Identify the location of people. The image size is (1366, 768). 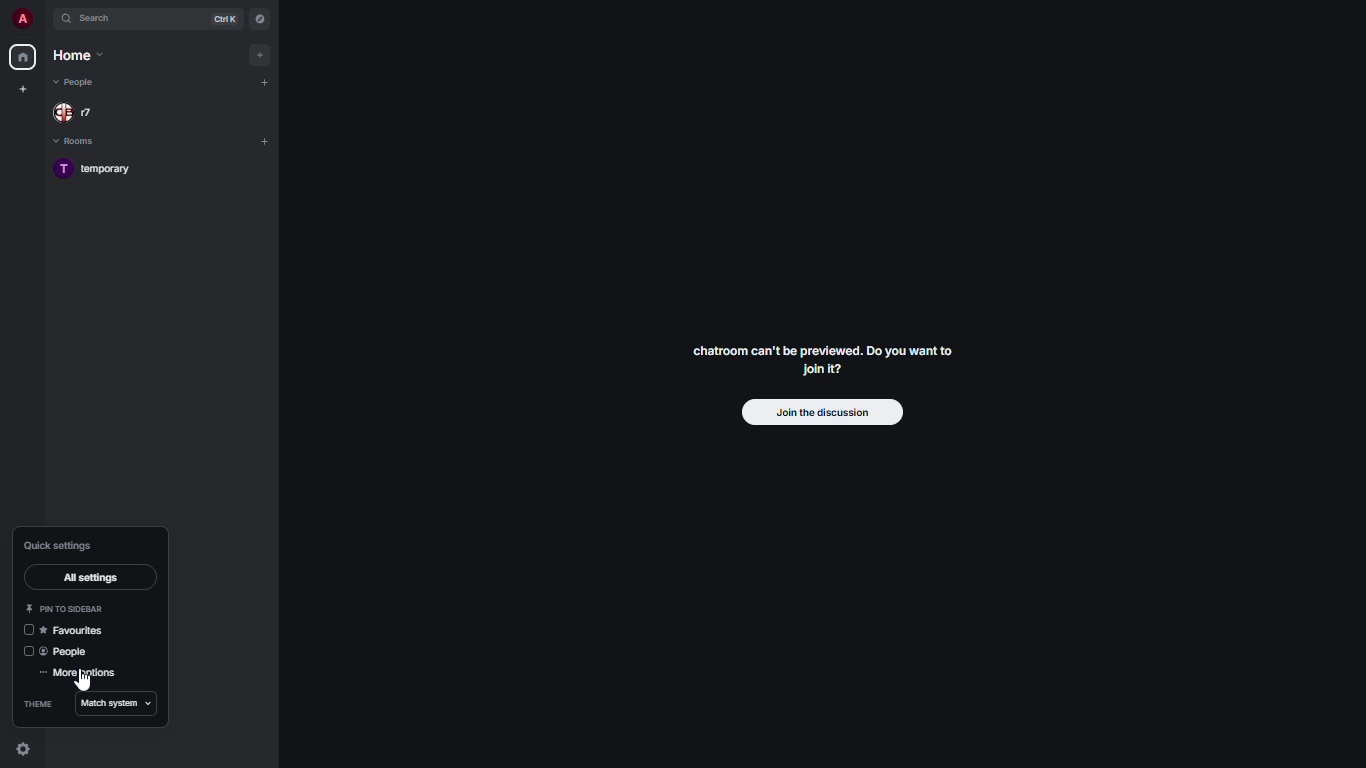
(80, 112).